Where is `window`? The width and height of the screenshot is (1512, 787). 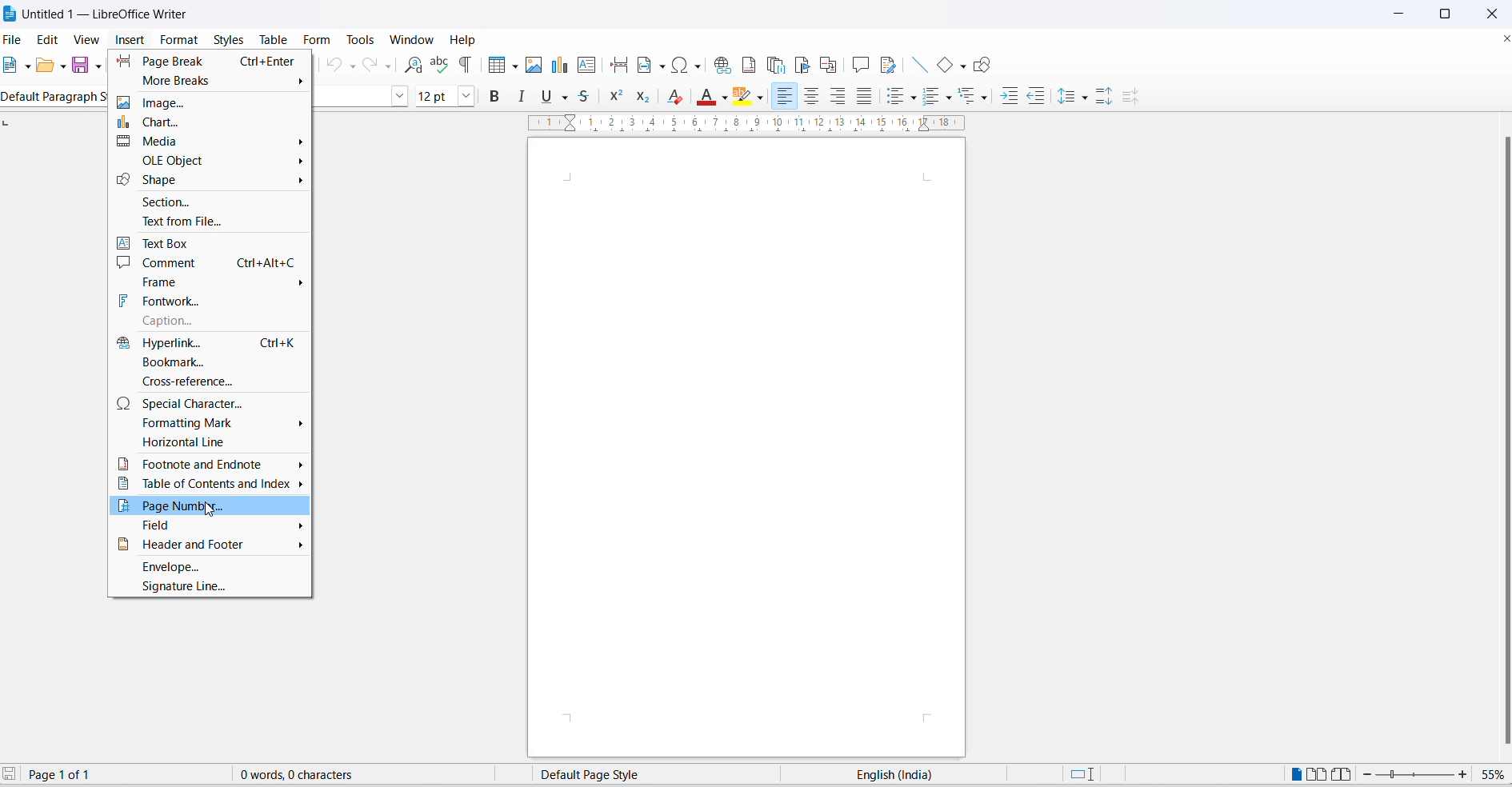
window is located at coordinates (410, 40).